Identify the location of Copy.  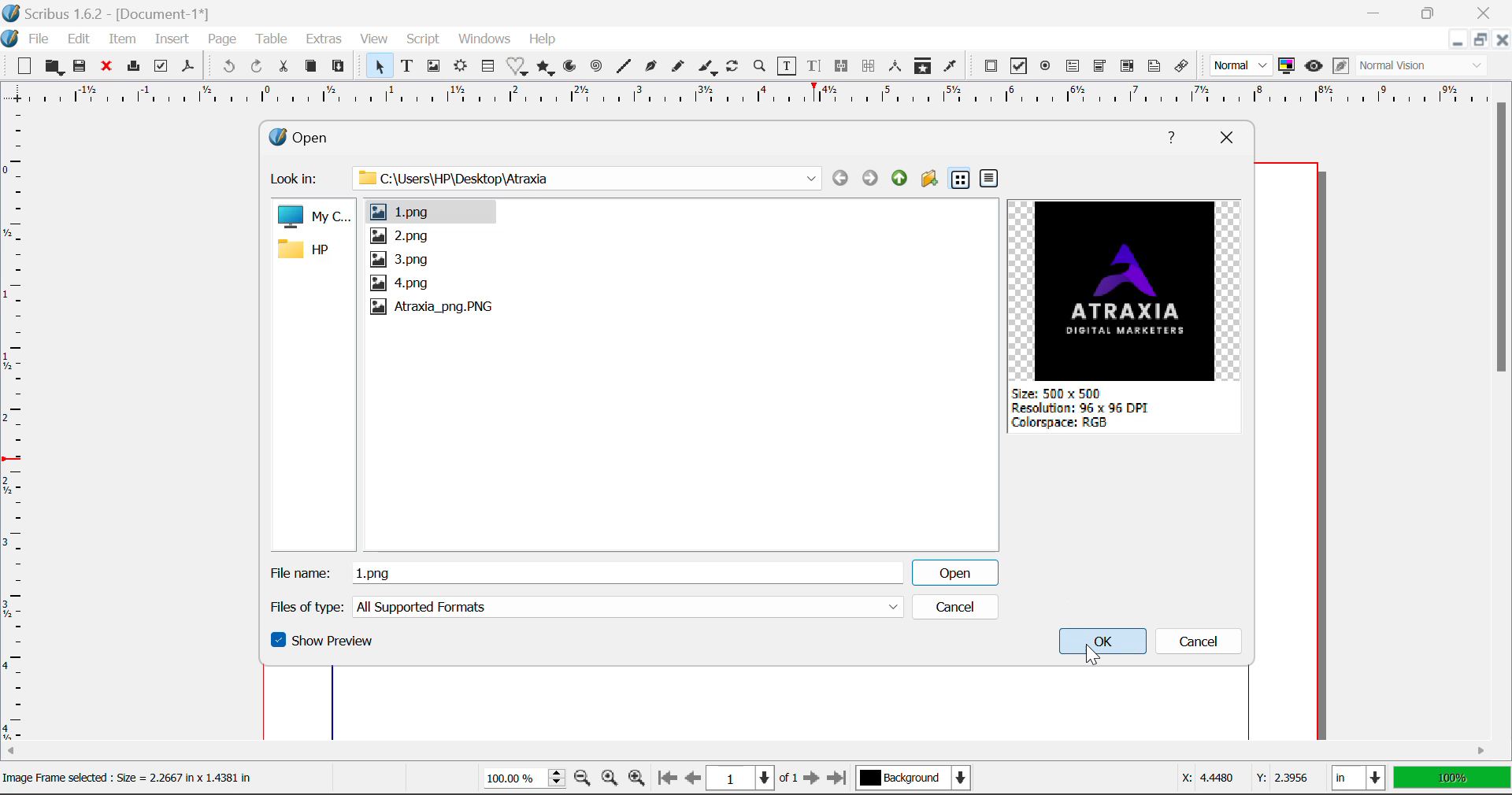
(310, 67).